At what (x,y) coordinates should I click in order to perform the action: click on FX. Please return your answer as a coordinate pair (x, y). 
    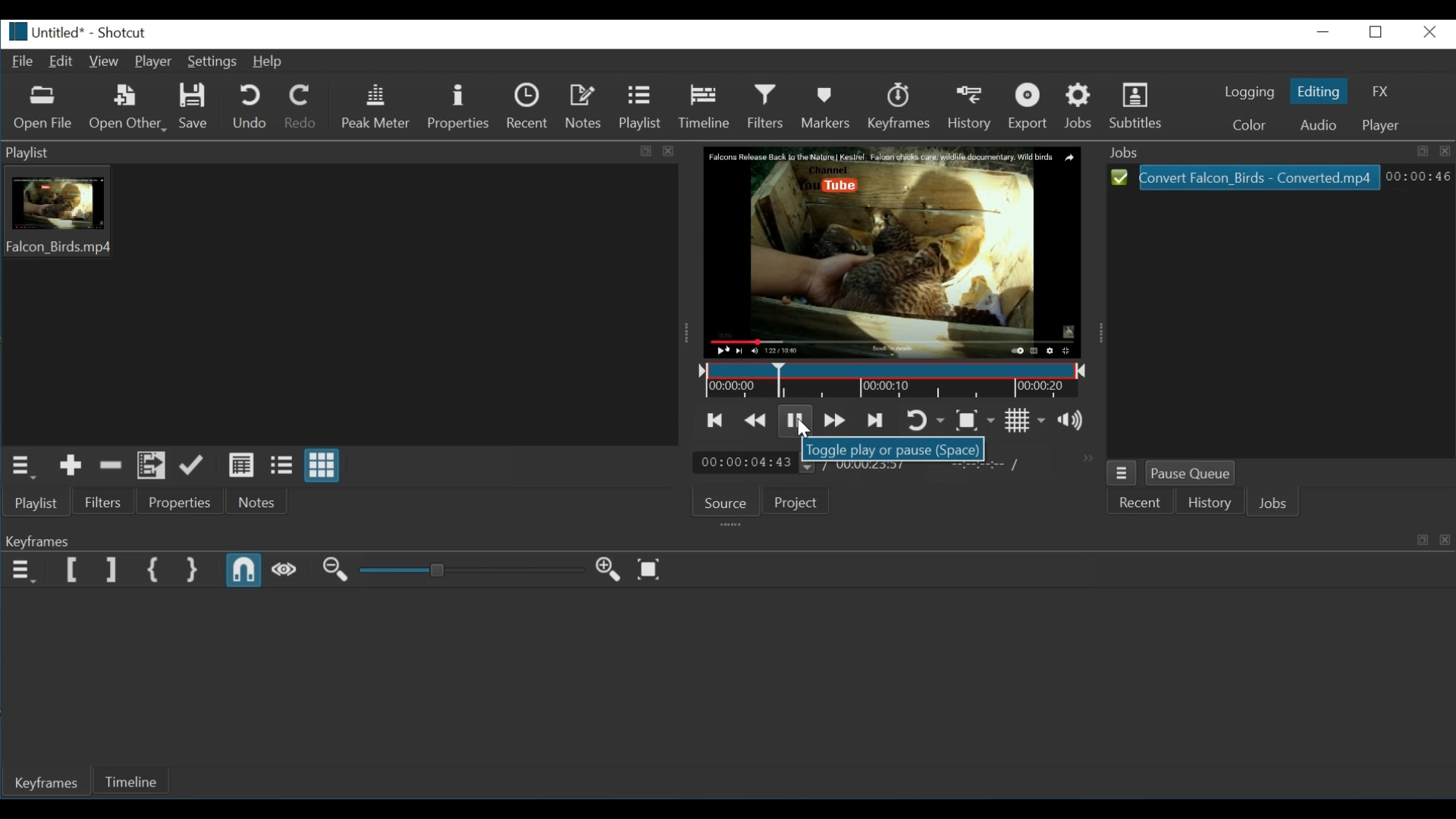
    Looking at the image, I should click on (1381, 91).